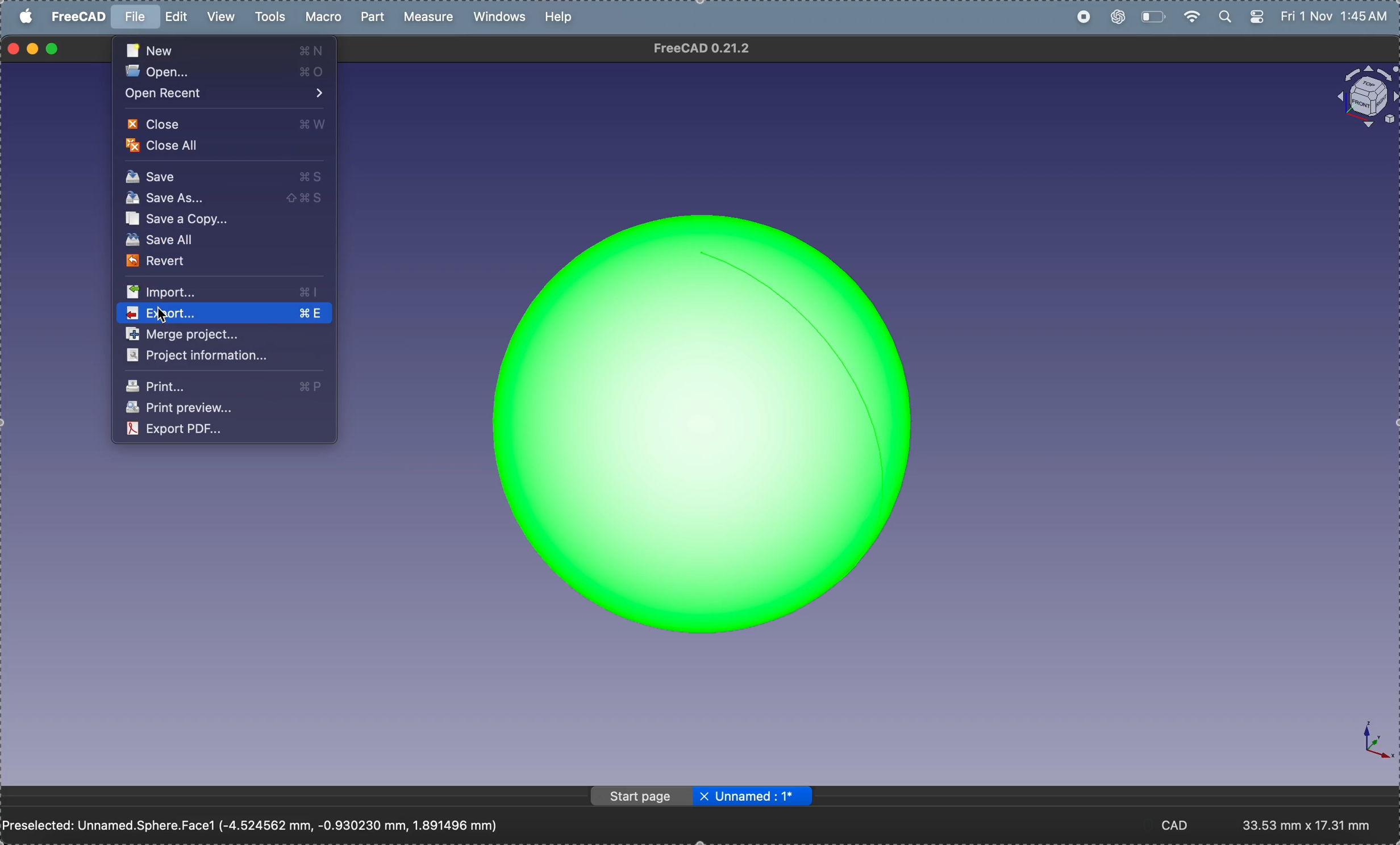 This screenshot has height=845, width=1400. Describe the element at coordinates (33, 48) in the screenshot. I see `minimize` at that location.